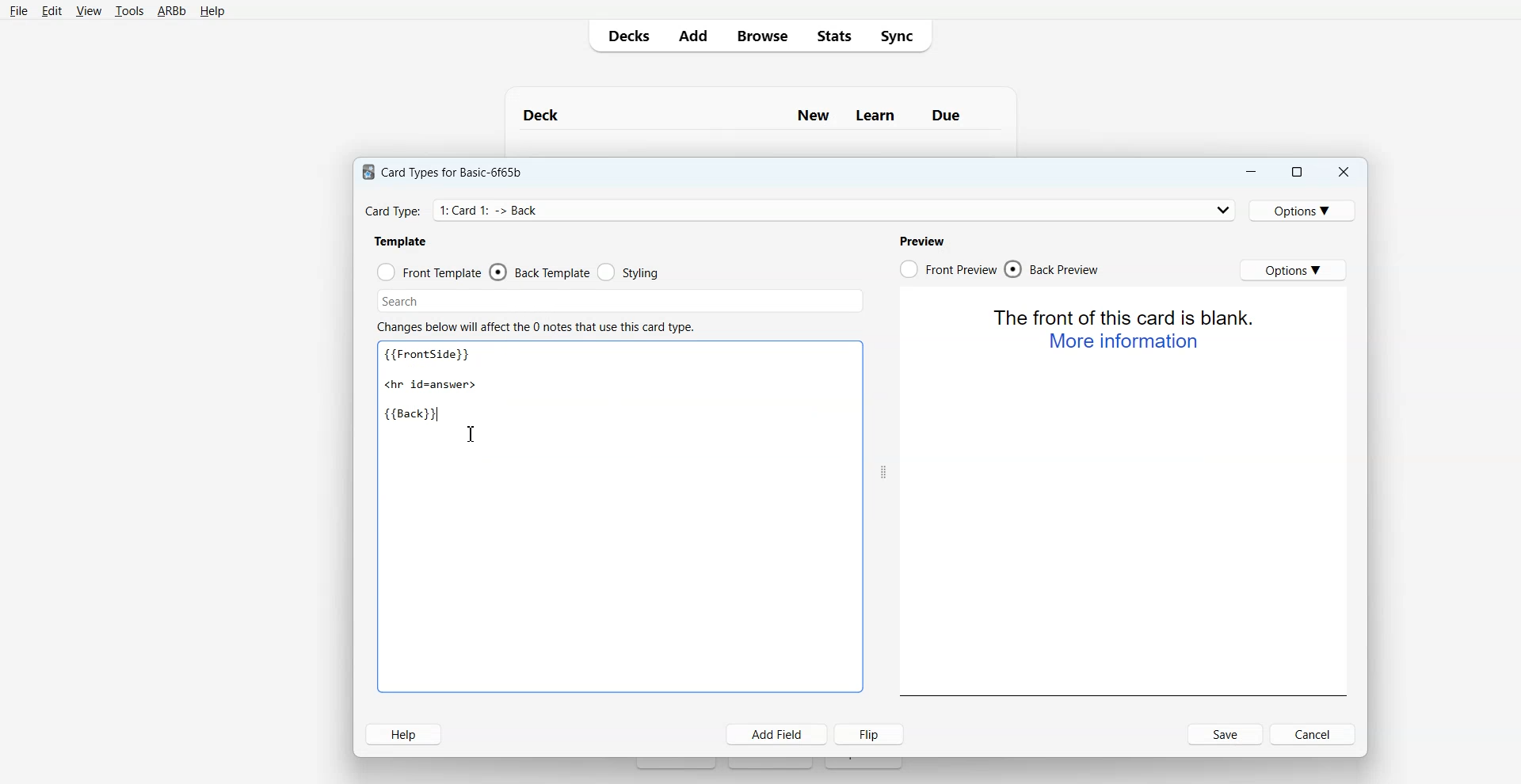 This screenshot has height=784, width=1521. What do you see at coordinates (617, 299) in the screenshot?
I see `Search Bar` at bounding box center [617, 299].